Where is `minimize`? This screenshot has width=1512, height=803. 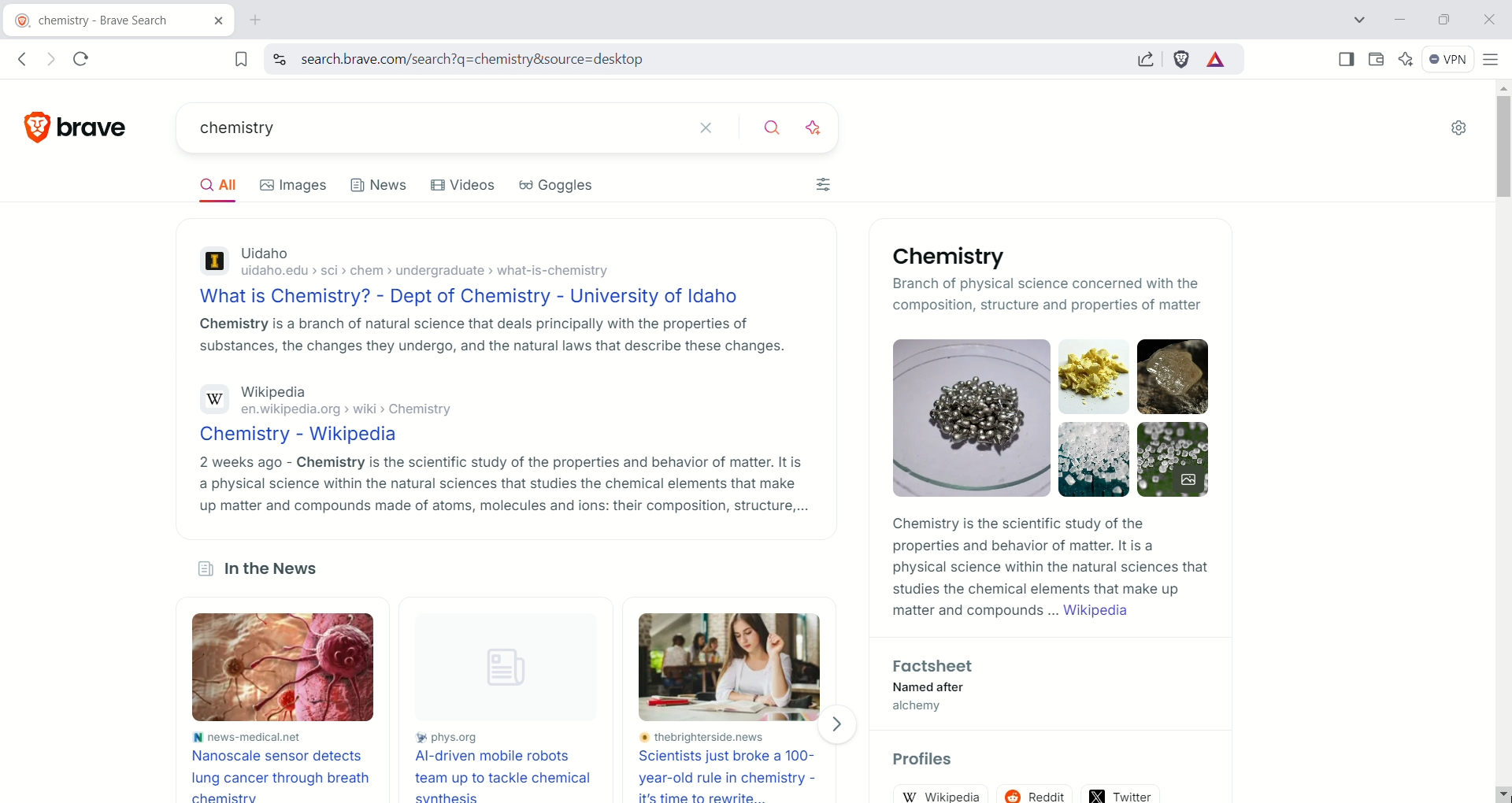 minimize is located at coordinates (1400, 20).